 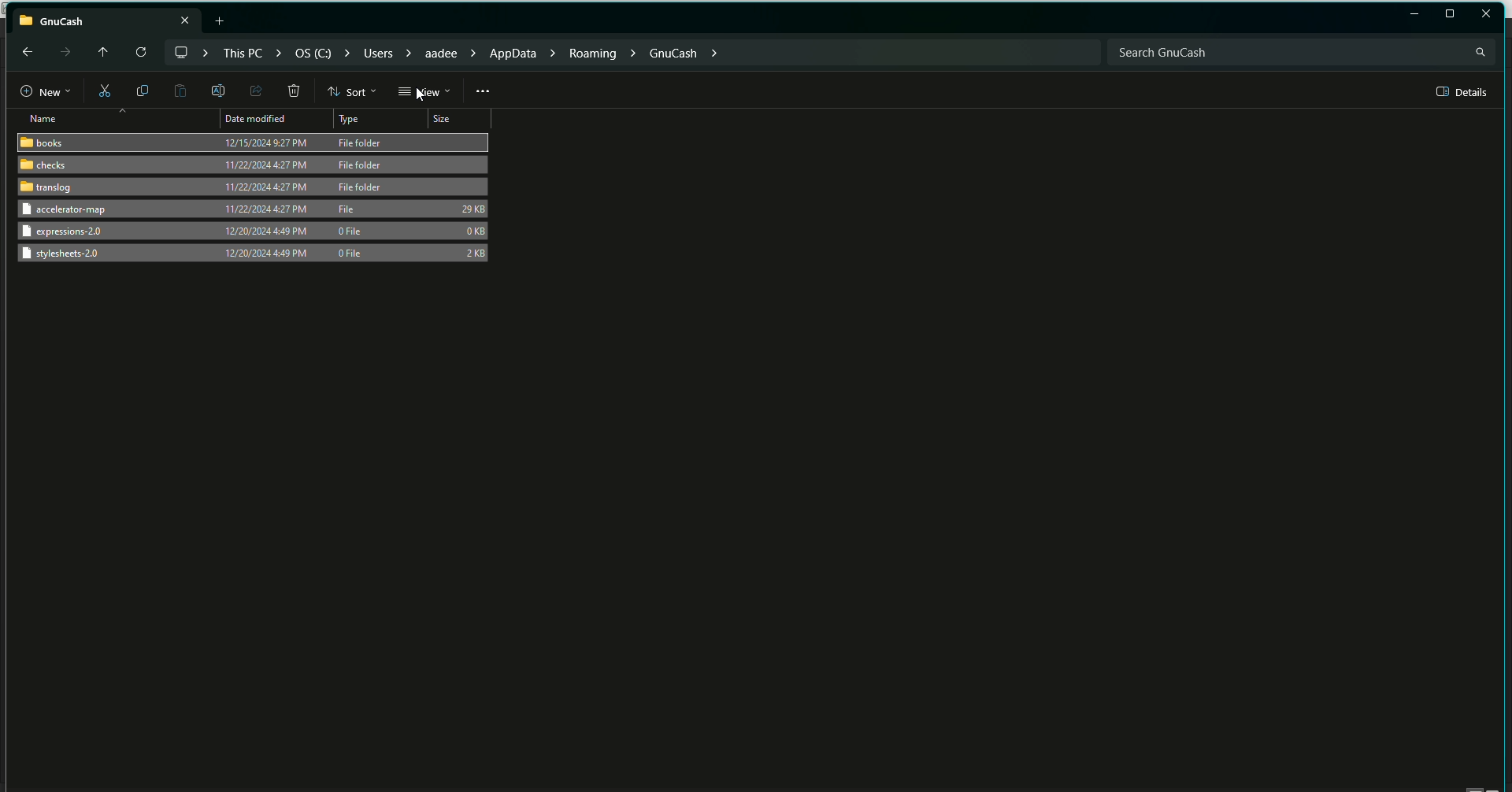 What do you see at coordinates (1414, 15) in the screenshot?
I see `Restore` at bounding box center [1414, 15].